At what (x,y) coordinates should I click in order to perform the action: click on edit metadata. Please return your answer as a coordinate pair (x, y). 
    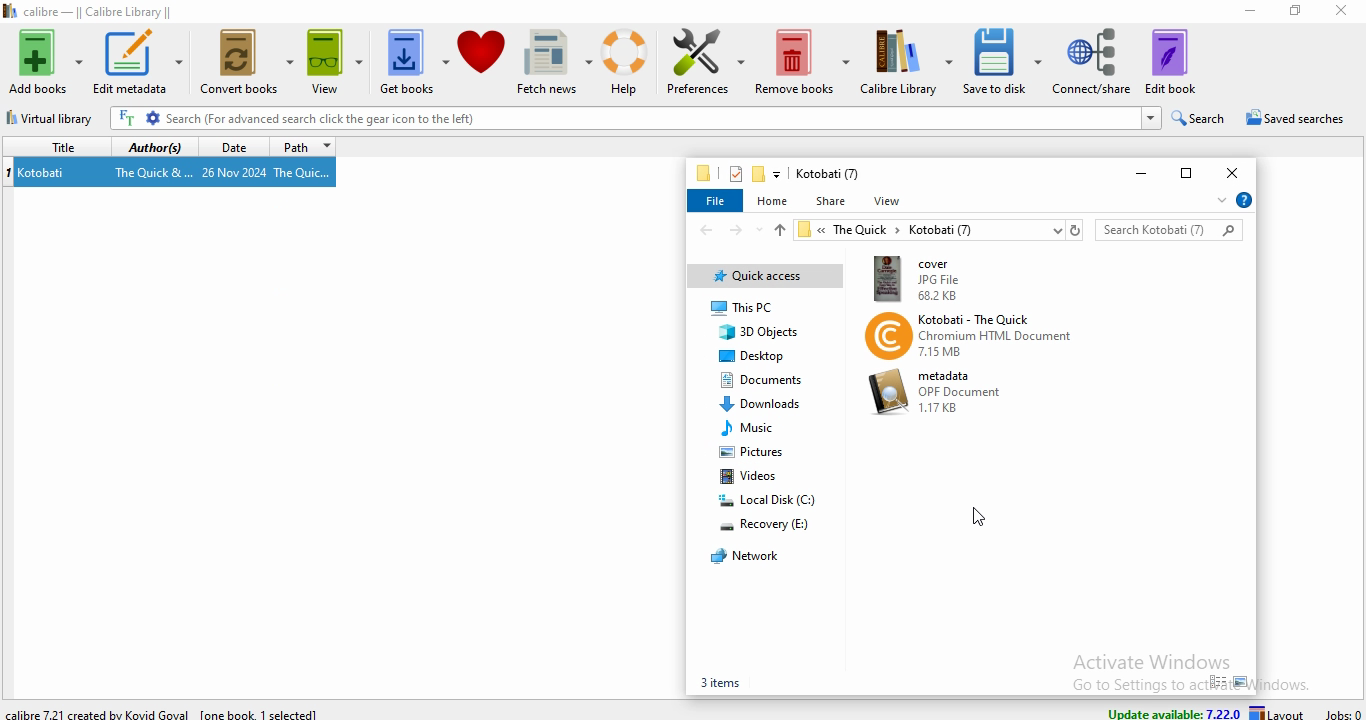
    Looking at the image, I should click on (138, 61).